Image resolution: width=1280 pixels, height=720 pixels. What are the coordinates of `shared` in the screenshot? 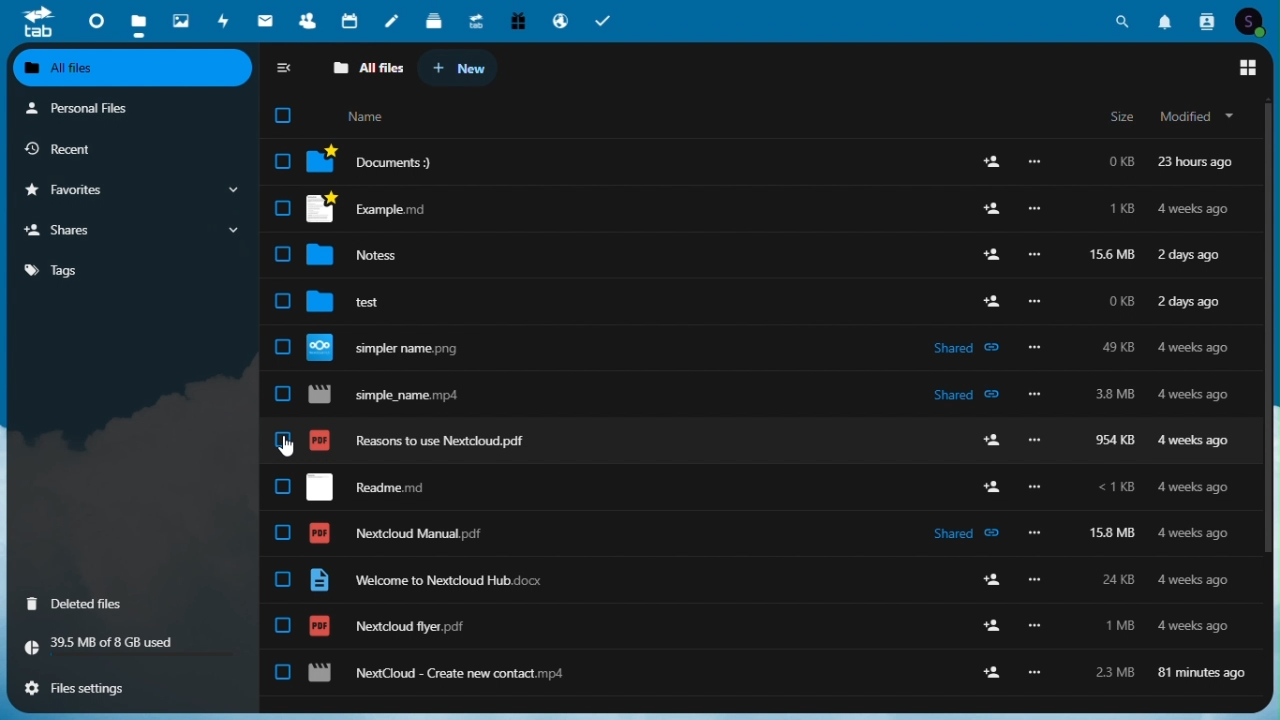 It's located at (970, 396).